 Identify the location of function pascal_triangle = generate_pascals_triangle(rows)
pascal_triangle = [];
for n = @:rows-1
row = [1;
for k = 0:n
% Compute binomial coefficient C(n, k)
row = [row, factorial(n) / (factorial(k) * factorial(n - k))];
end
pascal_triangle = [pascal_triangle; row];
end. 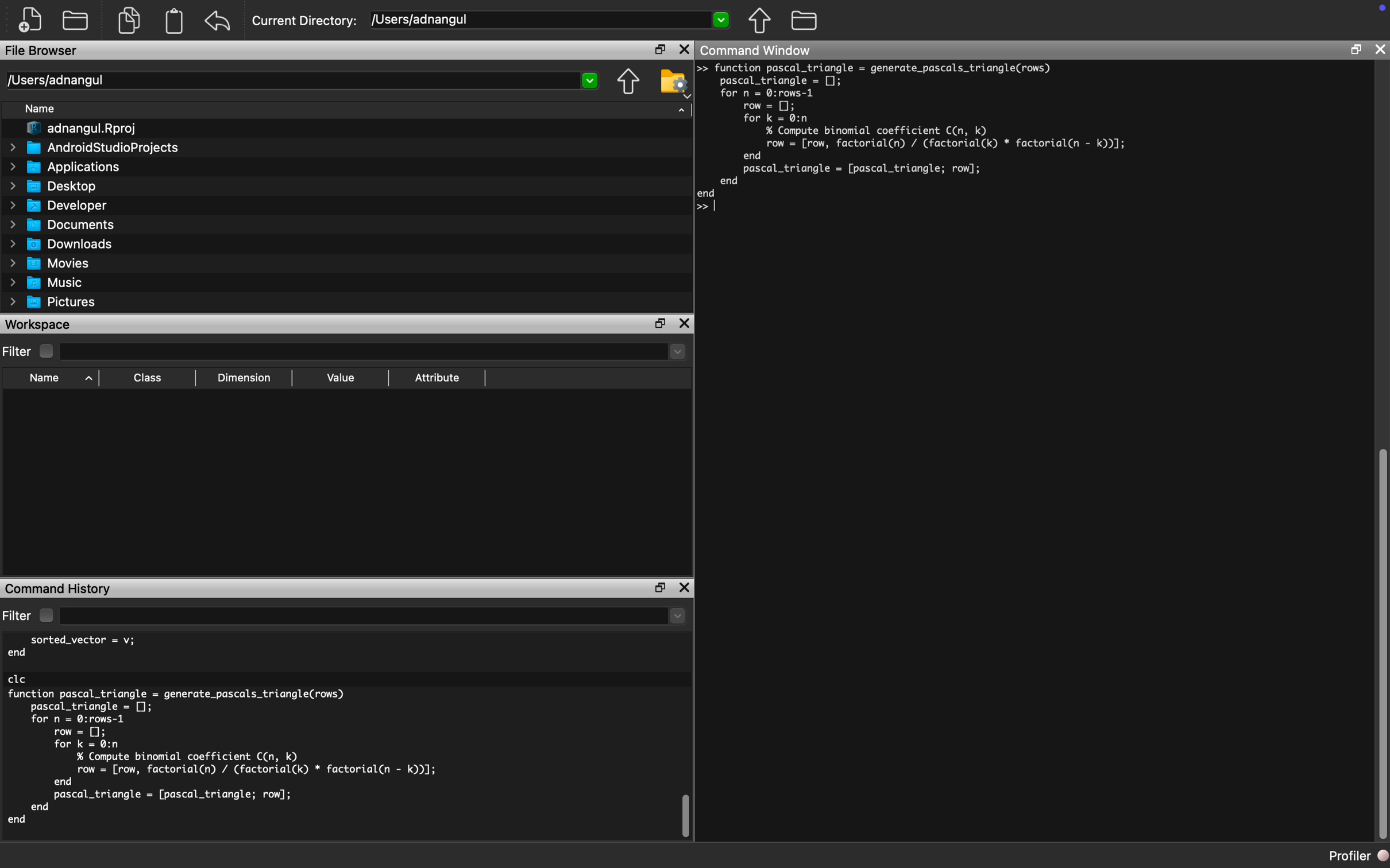
(921, 141).